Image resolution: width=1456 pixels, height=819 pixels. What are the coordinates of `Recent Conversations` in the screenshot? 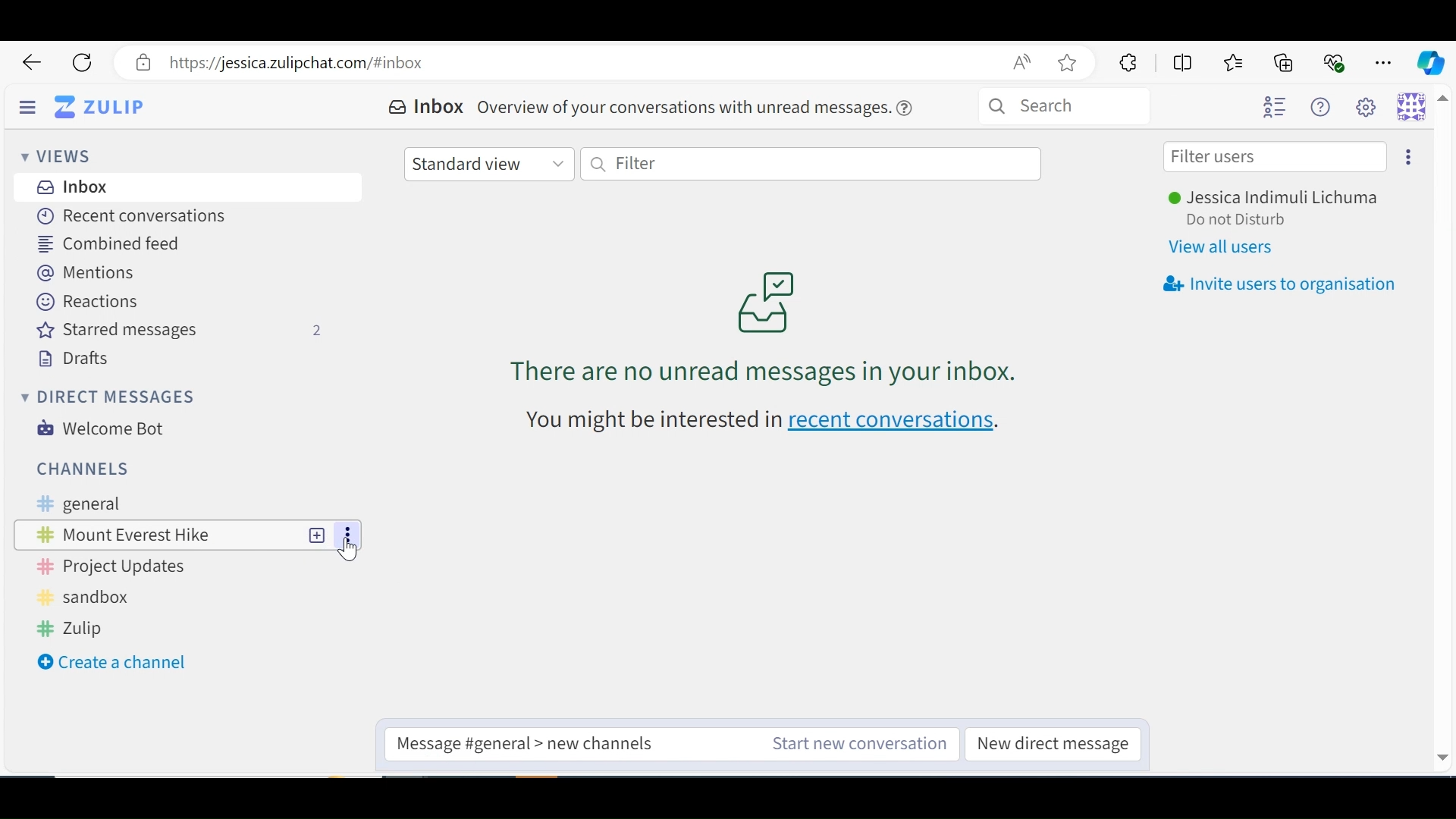 It's located at (126, 215).